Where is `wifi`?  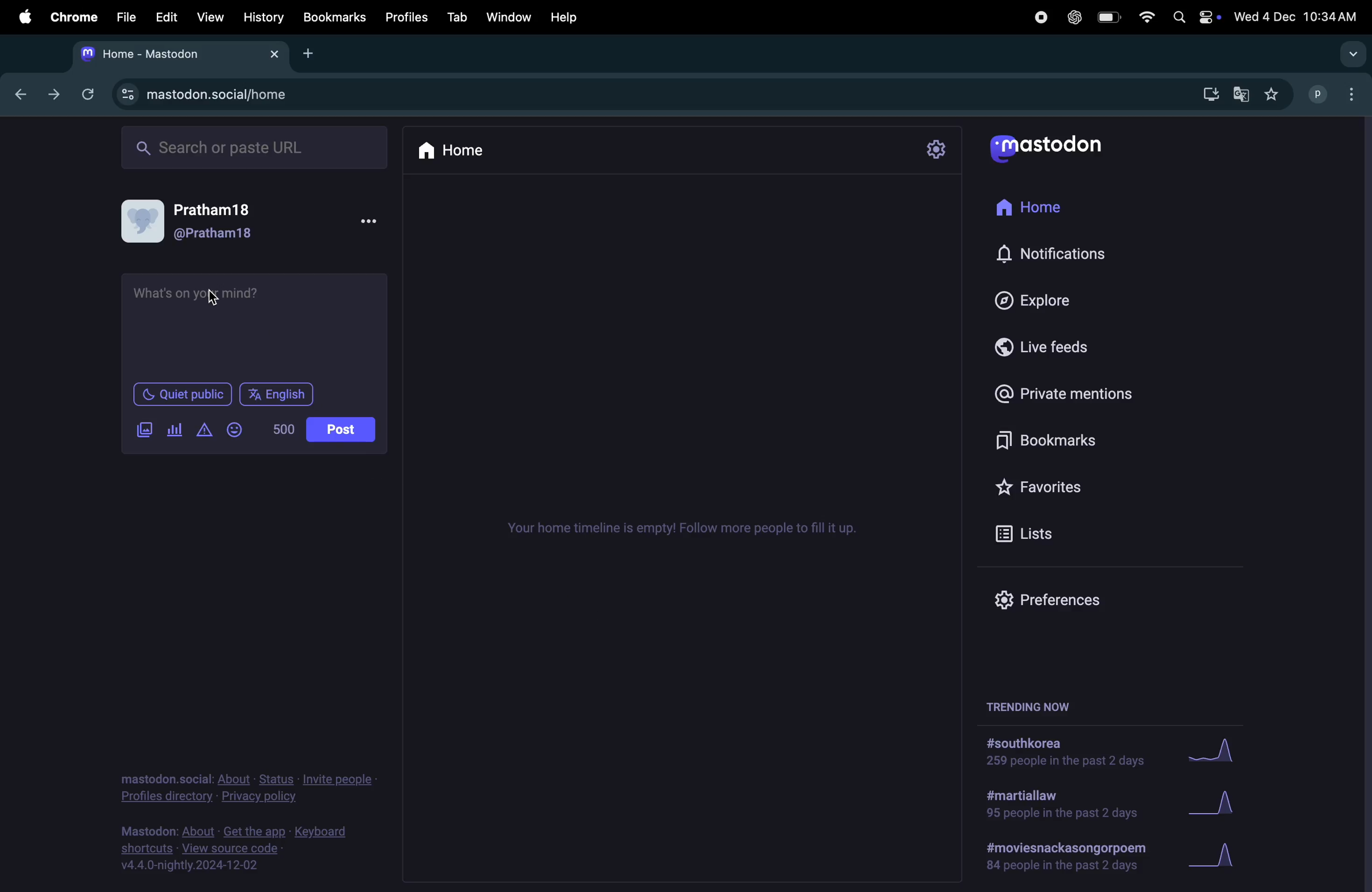
wifi is located at coordinates (1145, 18).